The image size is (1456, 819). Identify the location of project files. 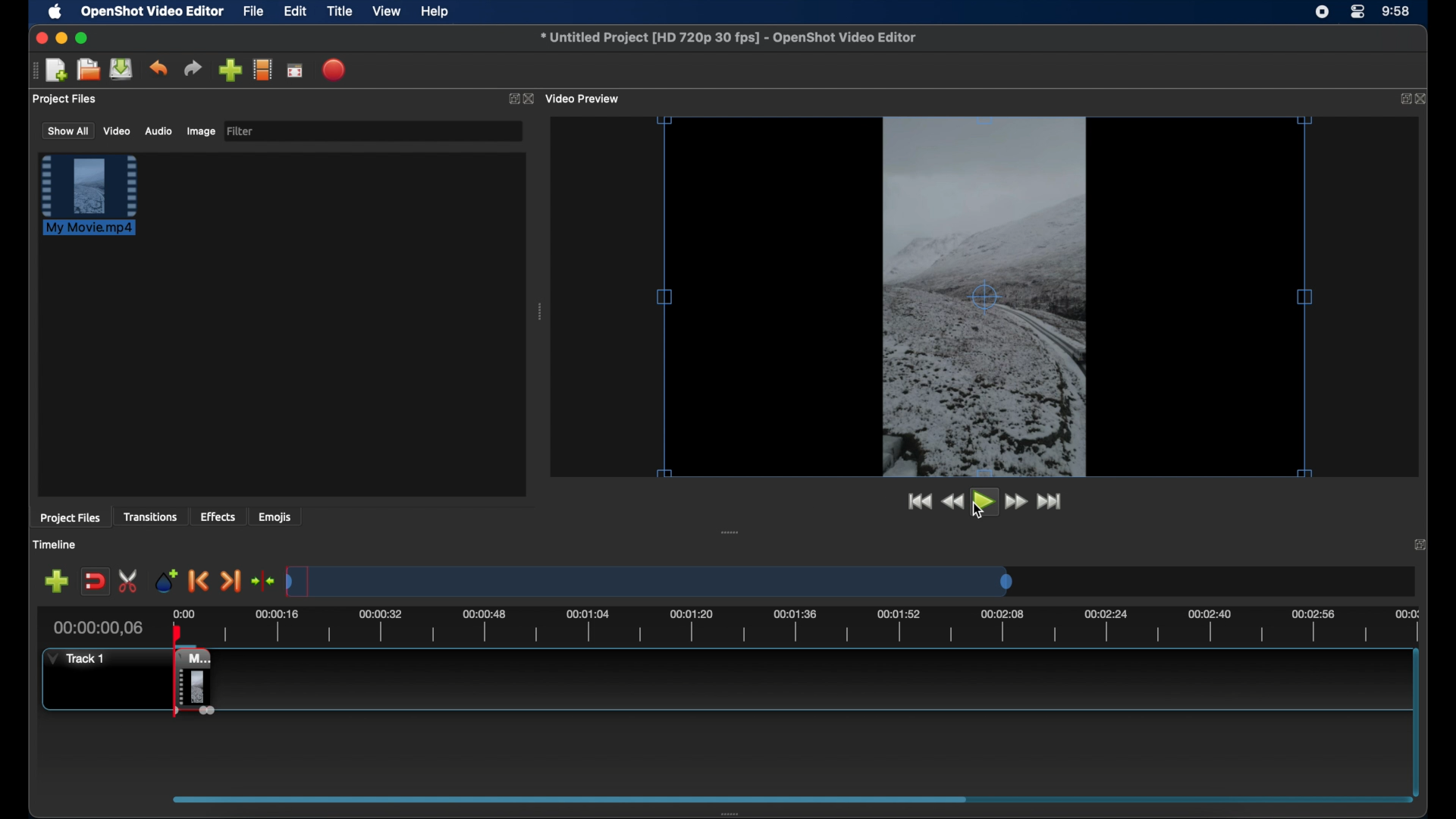
(70, 518).